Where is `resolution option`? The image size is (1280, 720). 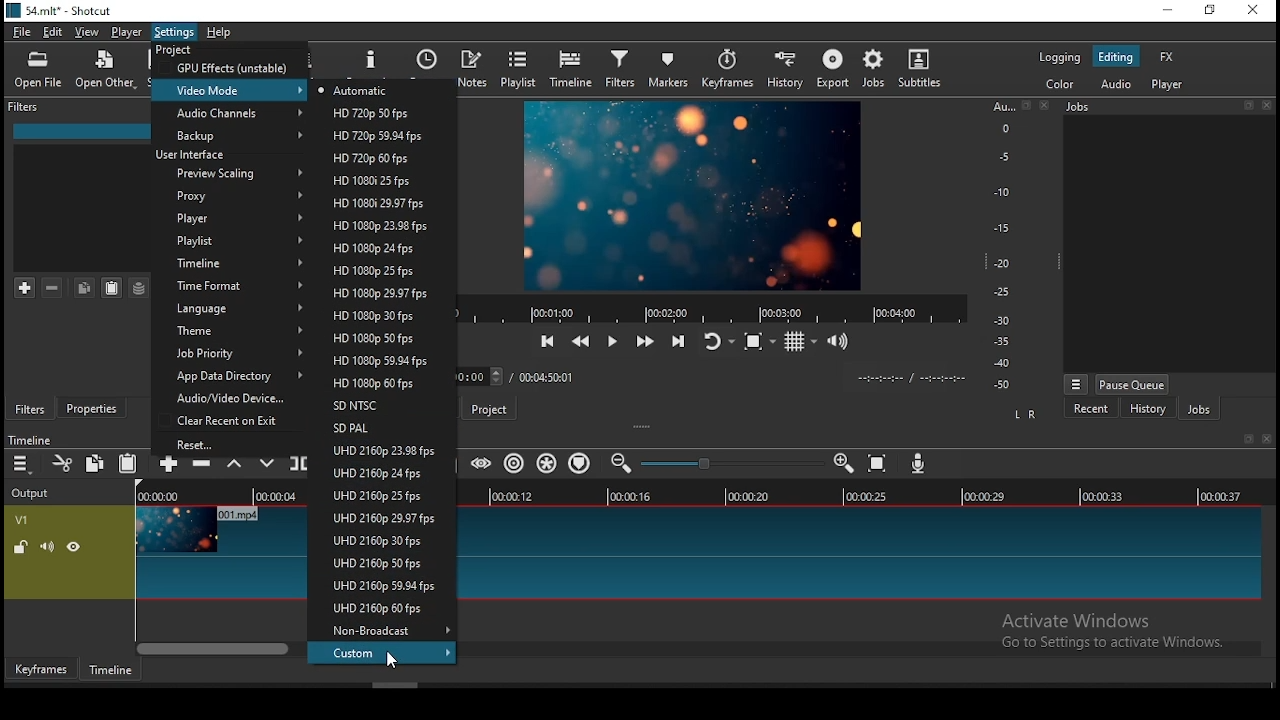
resolution option is located at coordinates (383, 337).